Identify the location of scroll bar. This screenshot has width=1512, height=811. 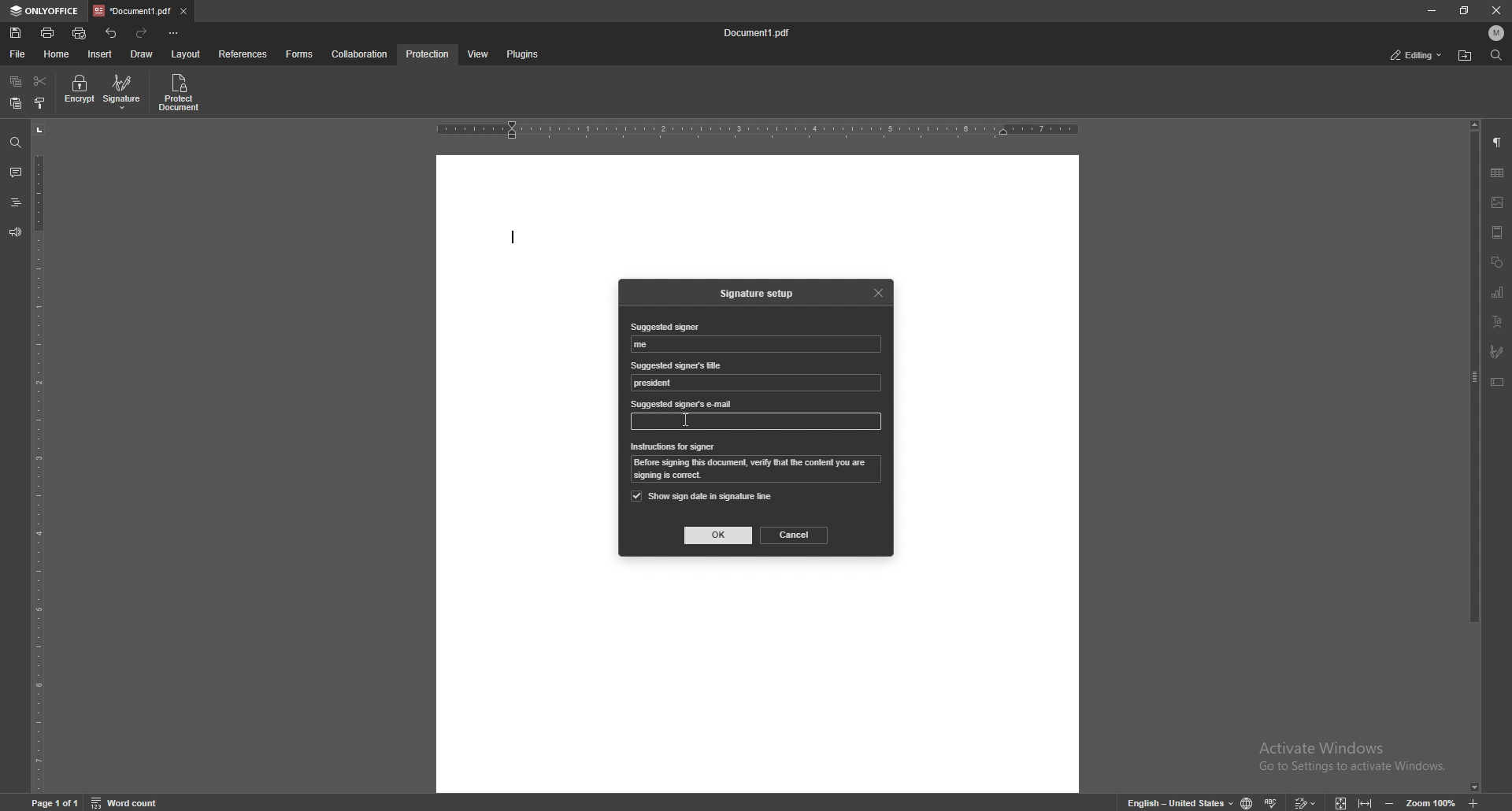
(1475, 457).